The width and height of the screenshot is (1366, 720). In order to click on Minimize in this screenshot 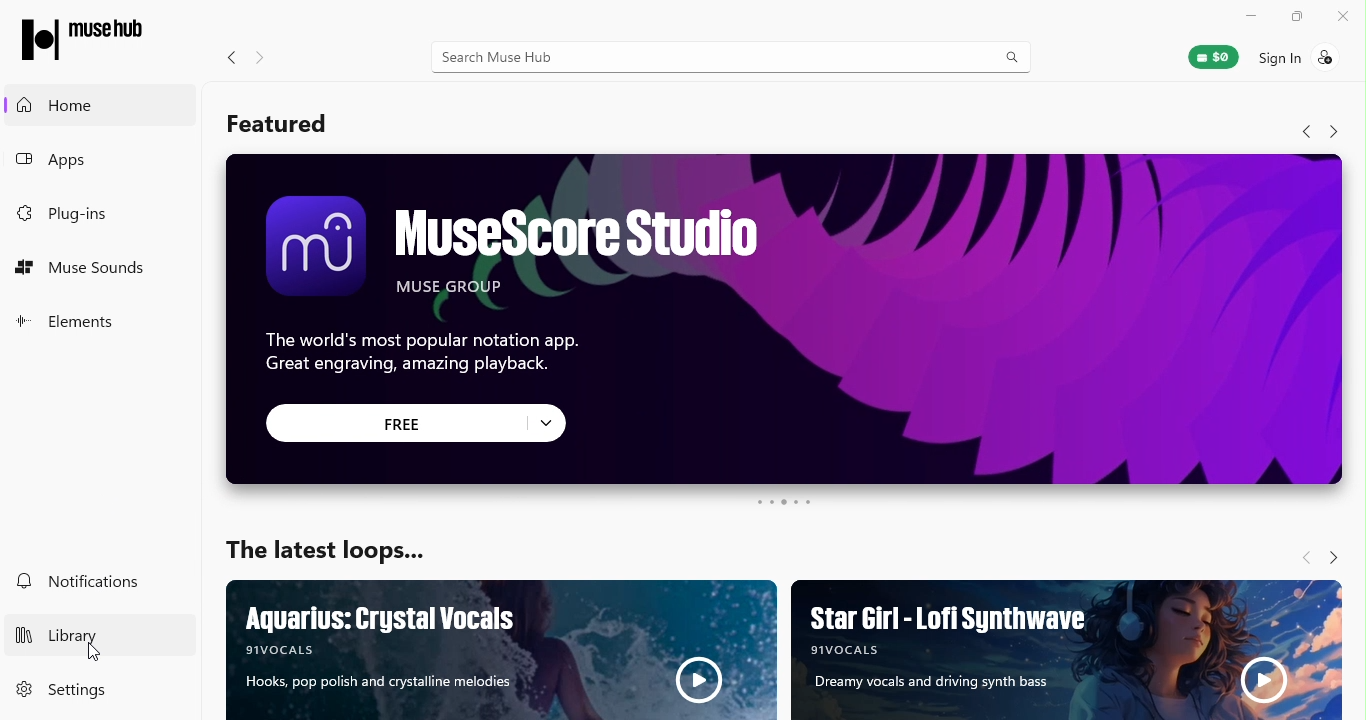, I will do `click(1247, 15)`.